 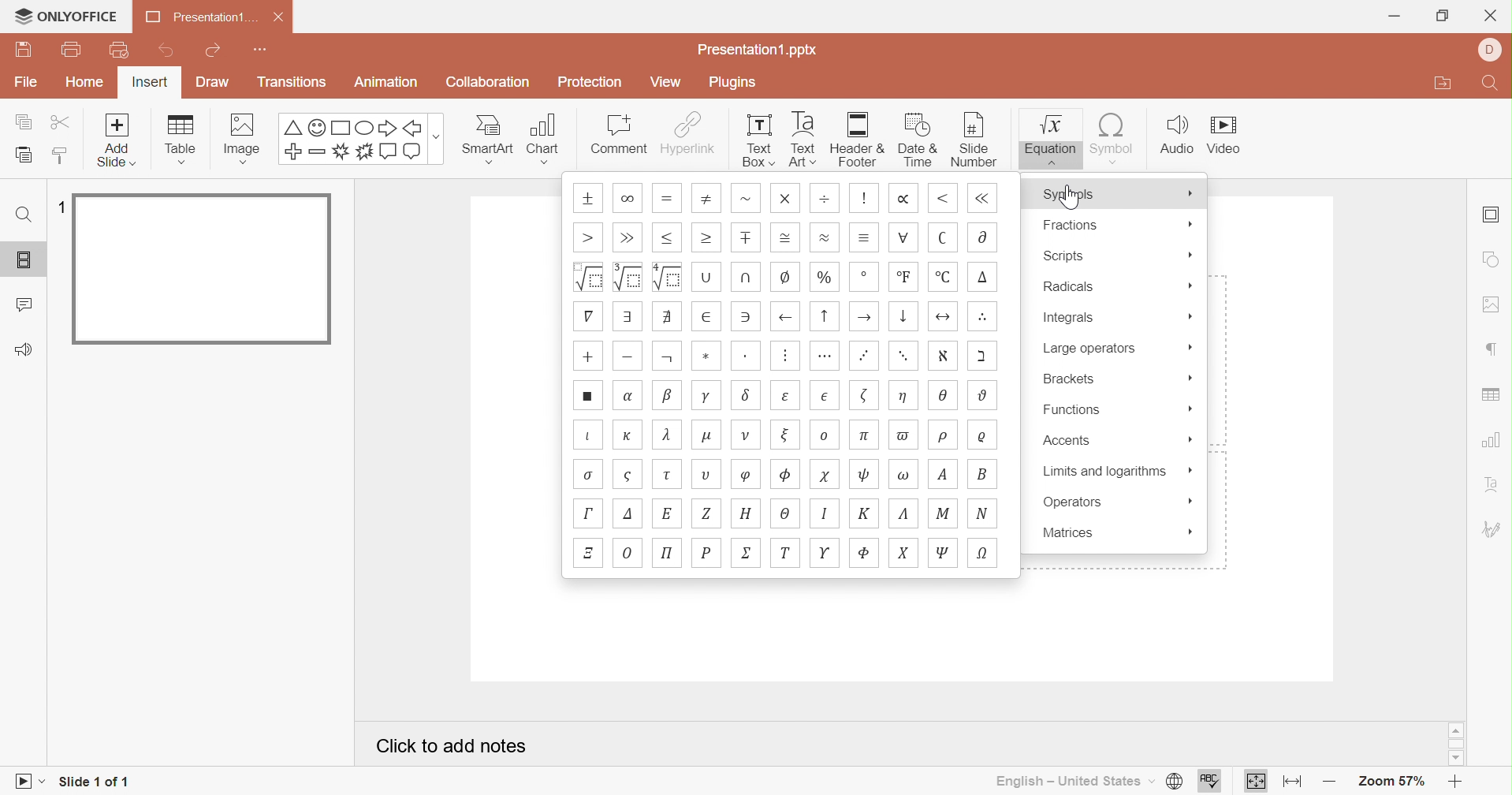 What do you see at coordinates (1447, 15) in the screenshot?
I see `Restore Down` at bounding box center [1447, 15].